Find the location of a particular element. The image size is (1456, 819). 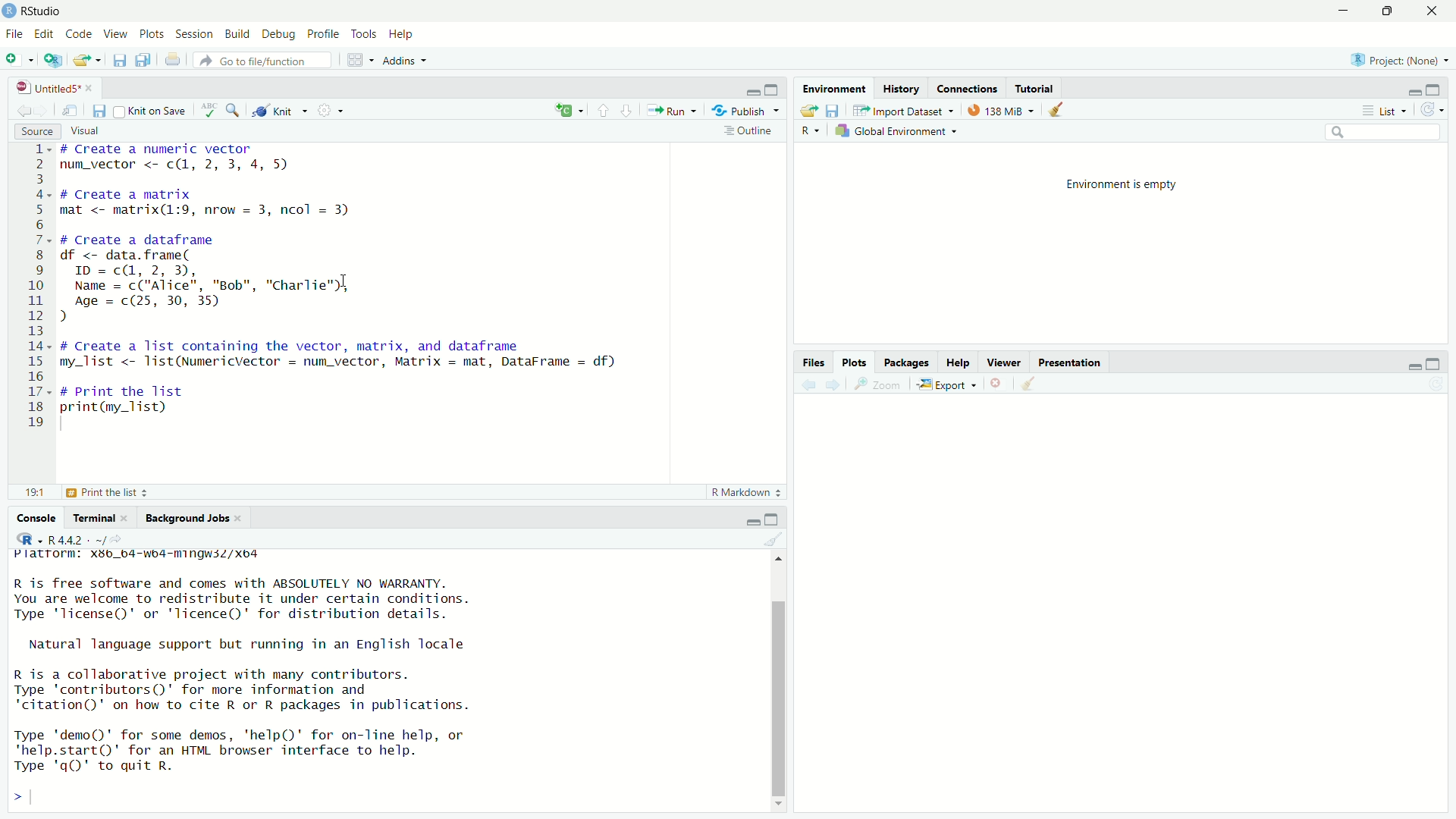

save is located at coordinates (99, 111).